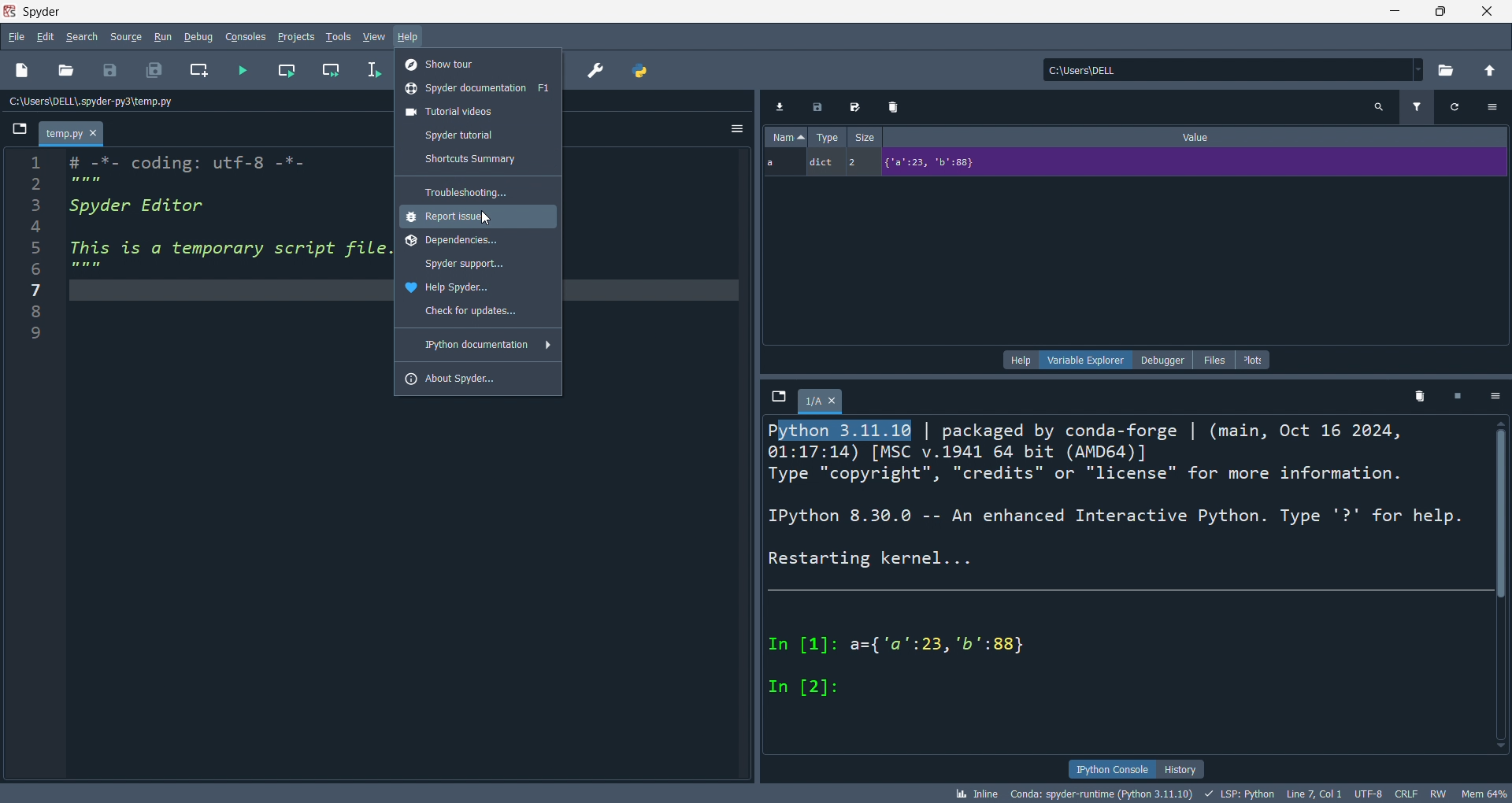 This screenshot has width=1512, height=803. What do you see at coordinates (72, 133) in the screenshot?
I see `Temp.py` at bounding box center [72, 133].